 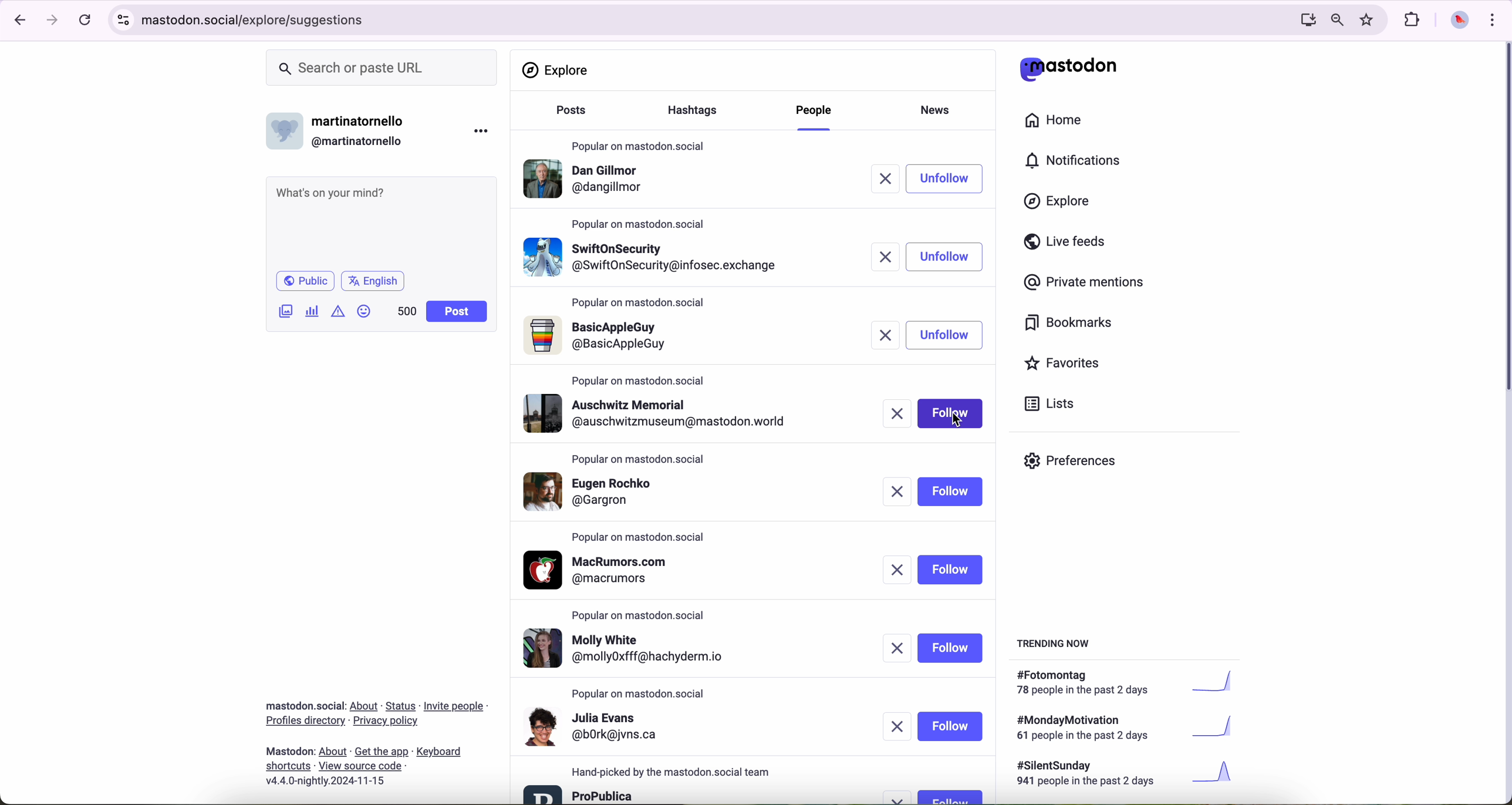 What do you see at coordinates (816, 116) in the screenshot?
I see `click on people` at bounding box center [816, 116].